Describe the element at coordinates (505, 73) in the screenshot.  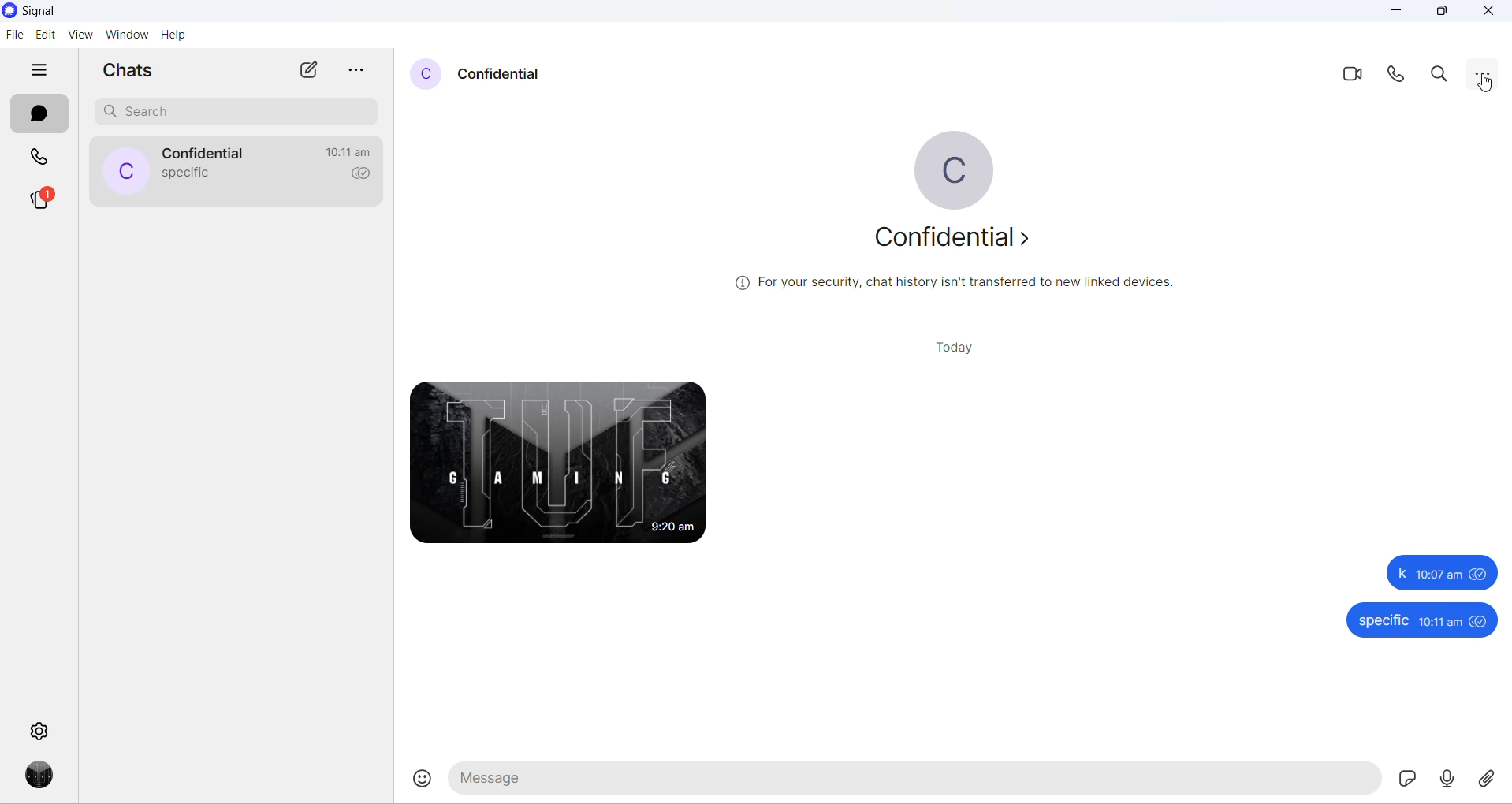
I see `contact name` at that location.